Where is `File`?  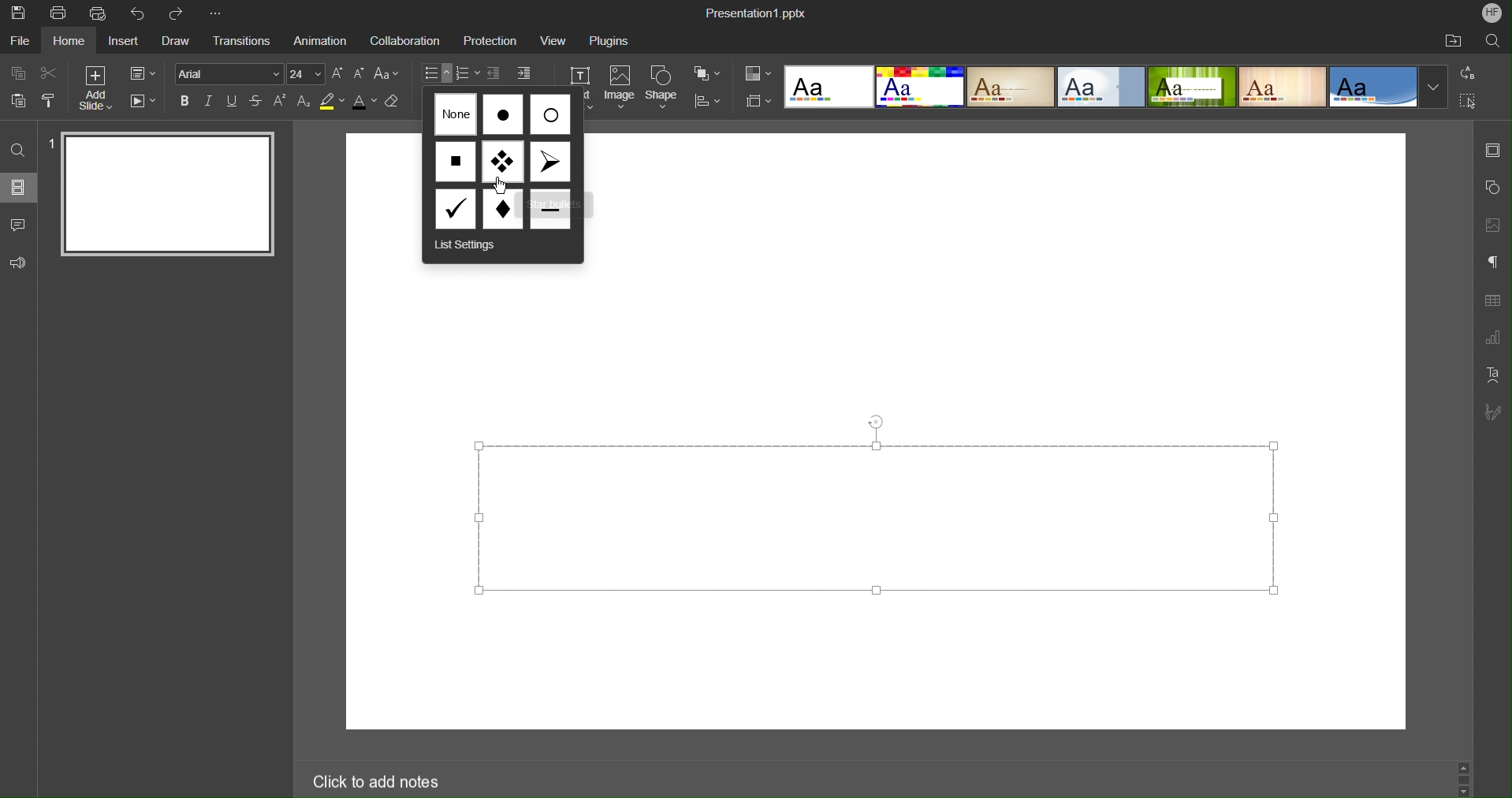
File is located at coordinates (20, 42).